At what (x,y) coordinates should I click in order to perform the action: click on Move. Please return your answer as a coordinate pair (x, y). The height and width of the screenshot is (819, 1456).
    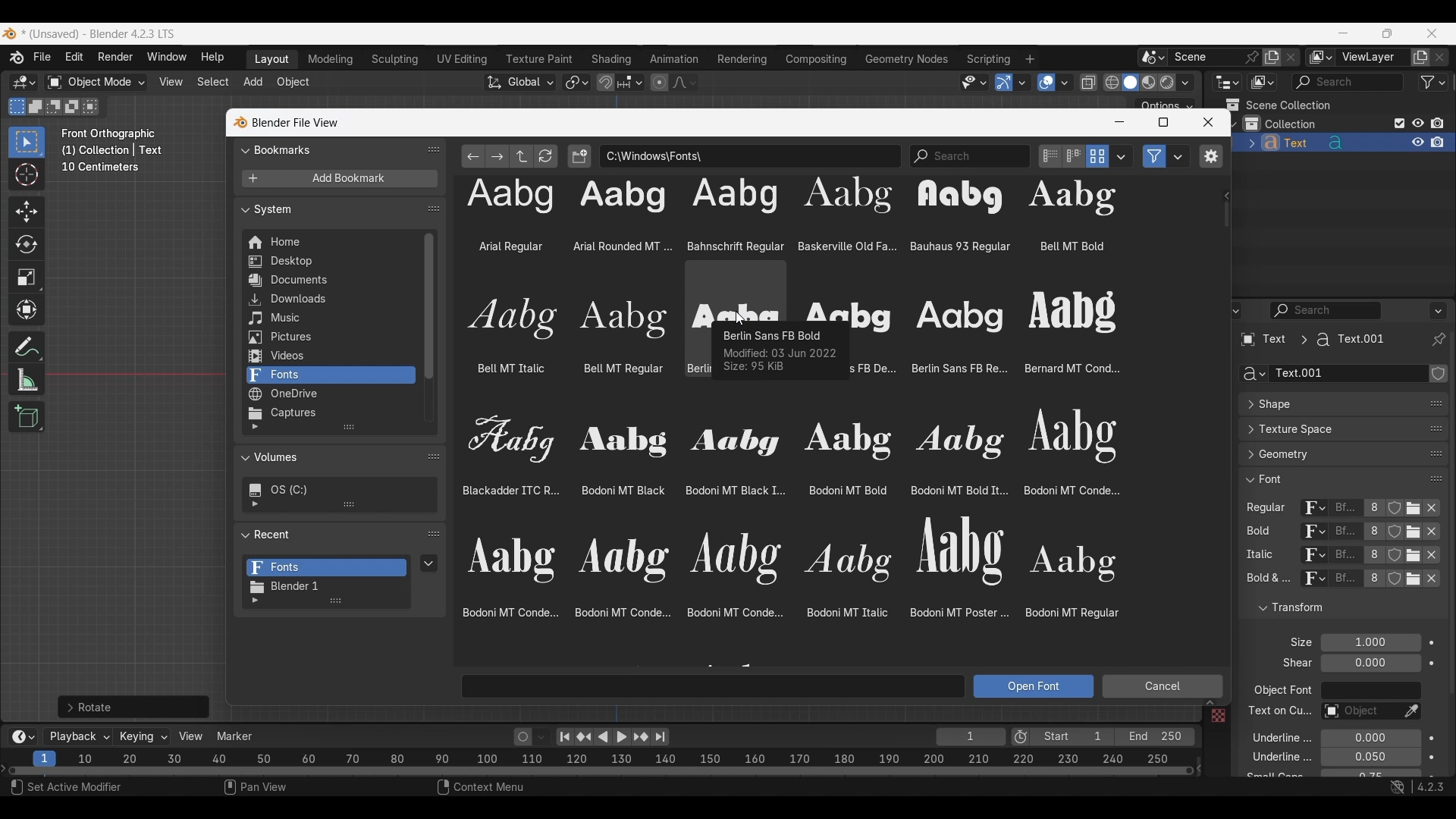
    Looking at the image, I should click on (27, 212).